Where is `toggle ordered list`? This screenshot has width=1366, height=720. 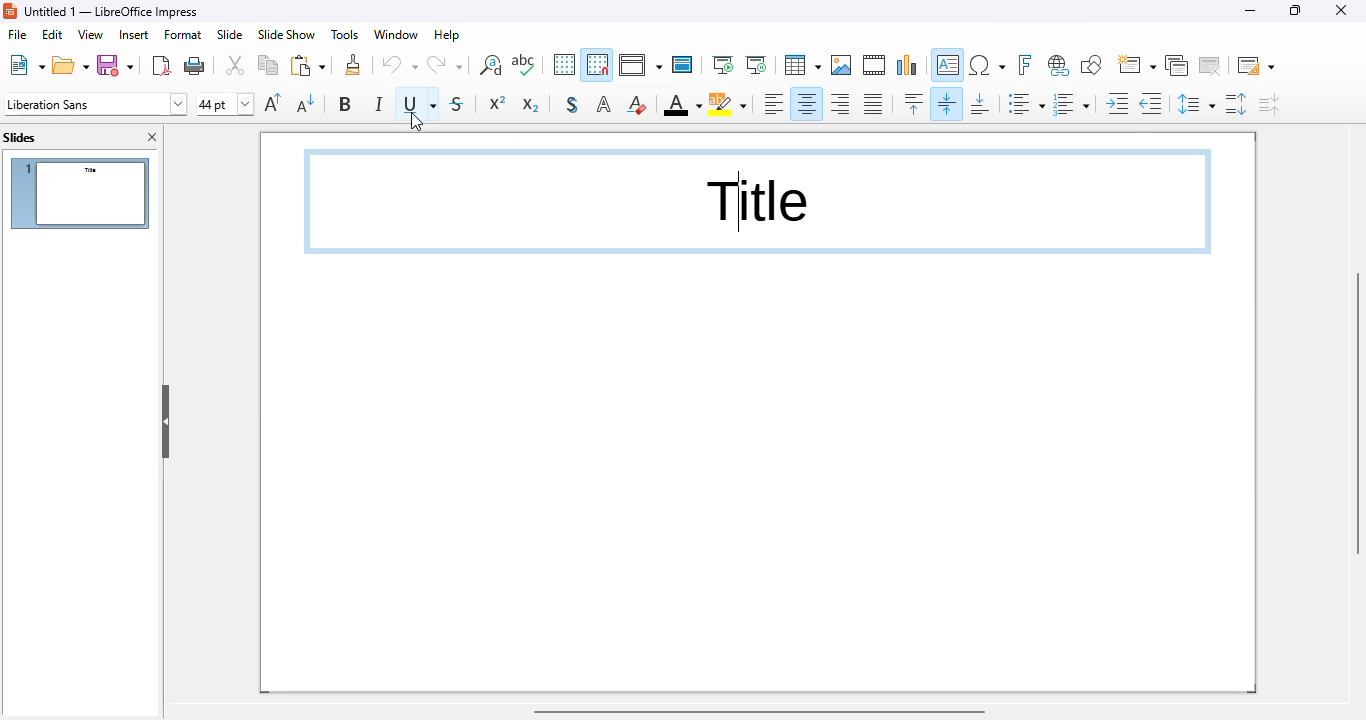
toggle ordered list is located at coordinates (1072, 103).